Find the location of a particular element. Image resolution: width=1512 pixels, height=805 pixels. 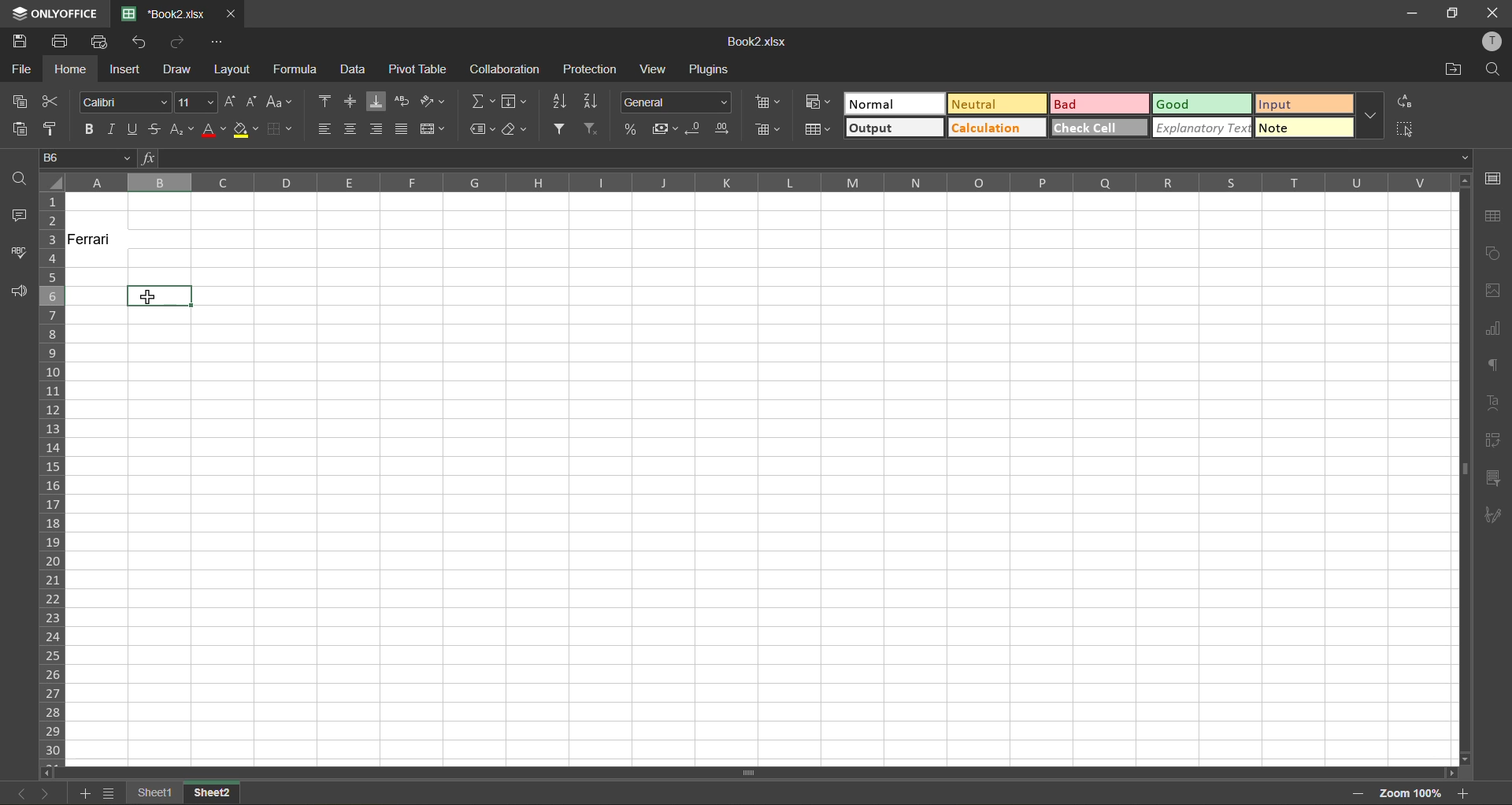

number format is located at coordinates (675, 101).